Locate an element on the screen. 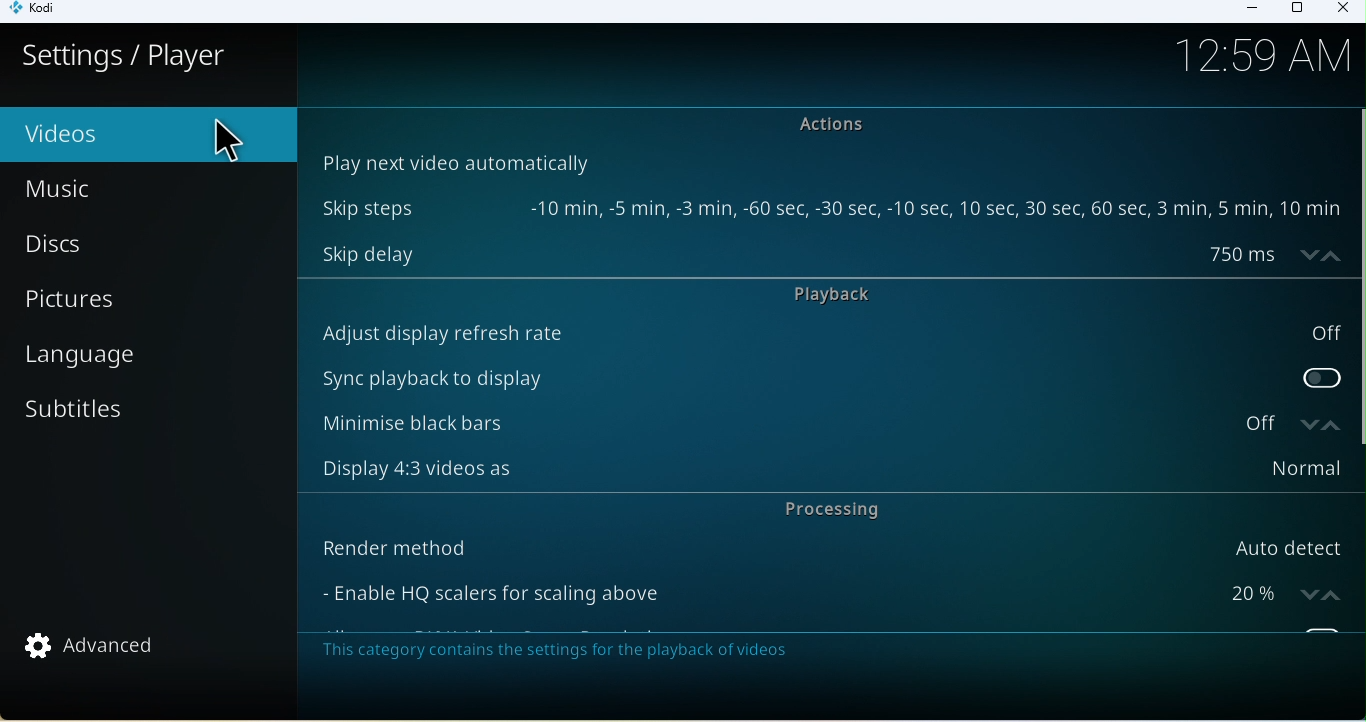 This screenshot has height=722, width=1366. Time is located at coordinates (1271, 59).